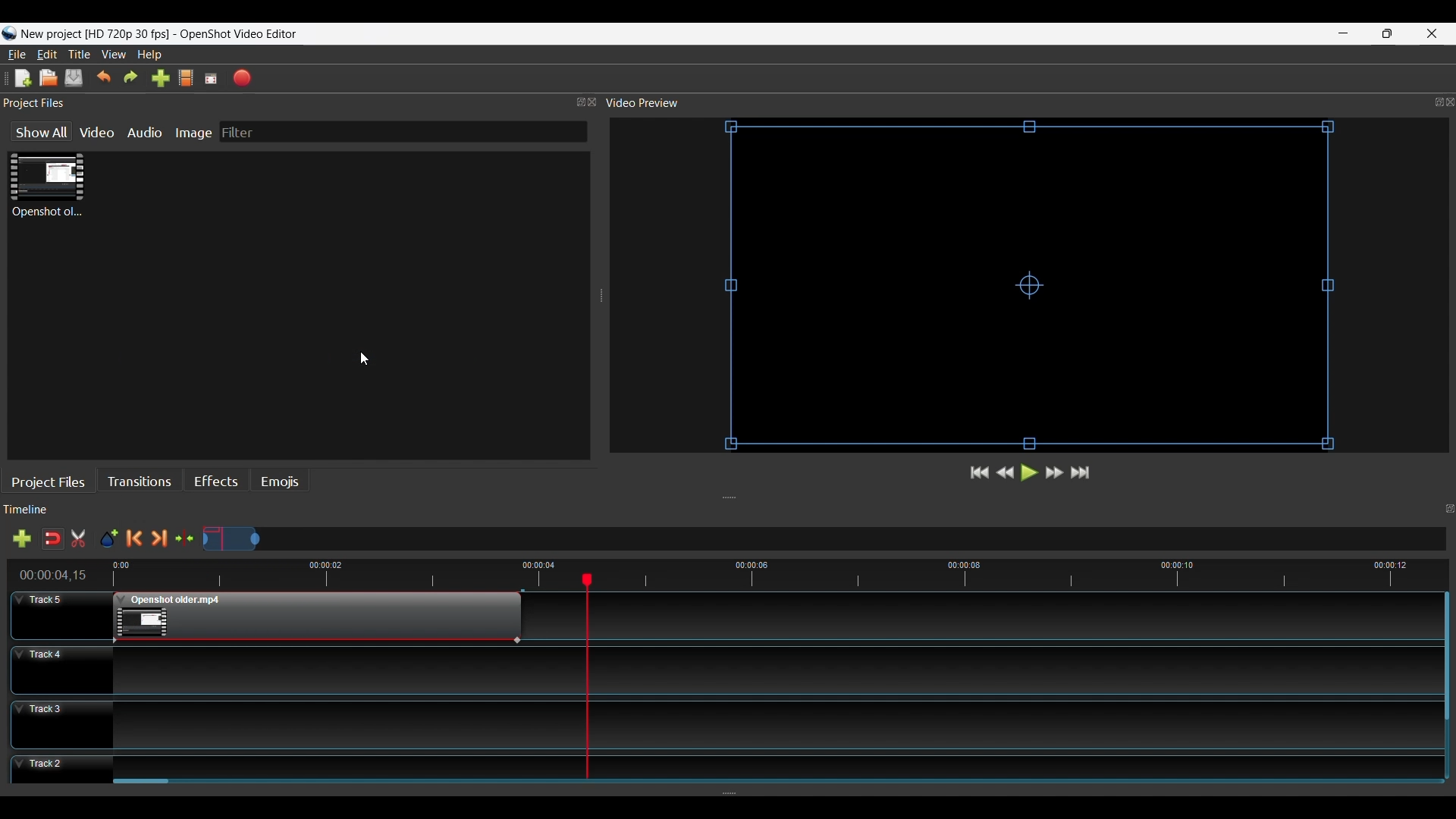 The height and width of the screenshot is (819, 1456). What do you see at coordinates (61, 723) in the screenshot?
I see `Track Header` at bounding box center [61, 723].